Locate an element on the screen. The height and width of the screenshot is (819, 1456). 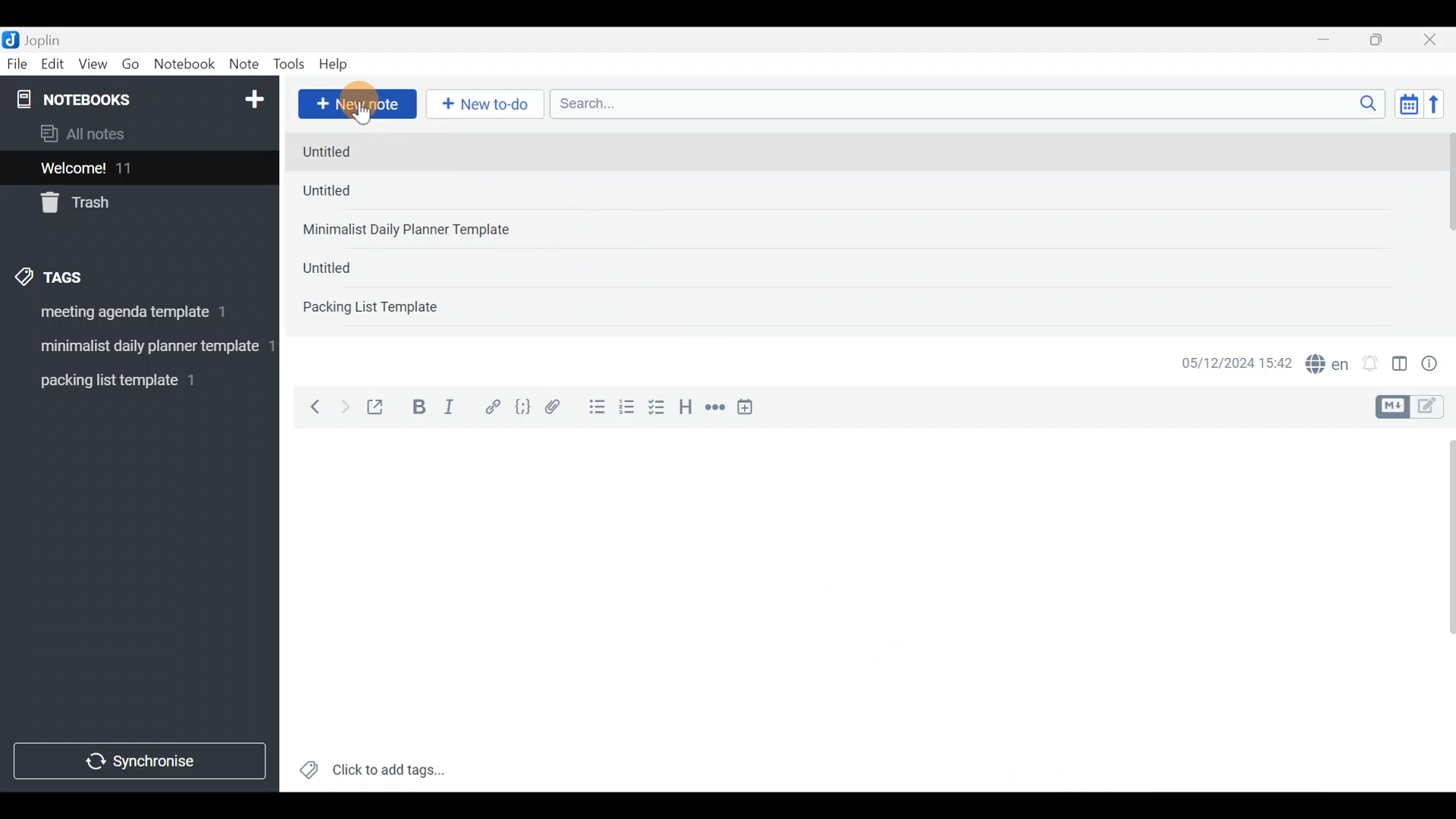
Minimize is located at coordinates (1332, 38).